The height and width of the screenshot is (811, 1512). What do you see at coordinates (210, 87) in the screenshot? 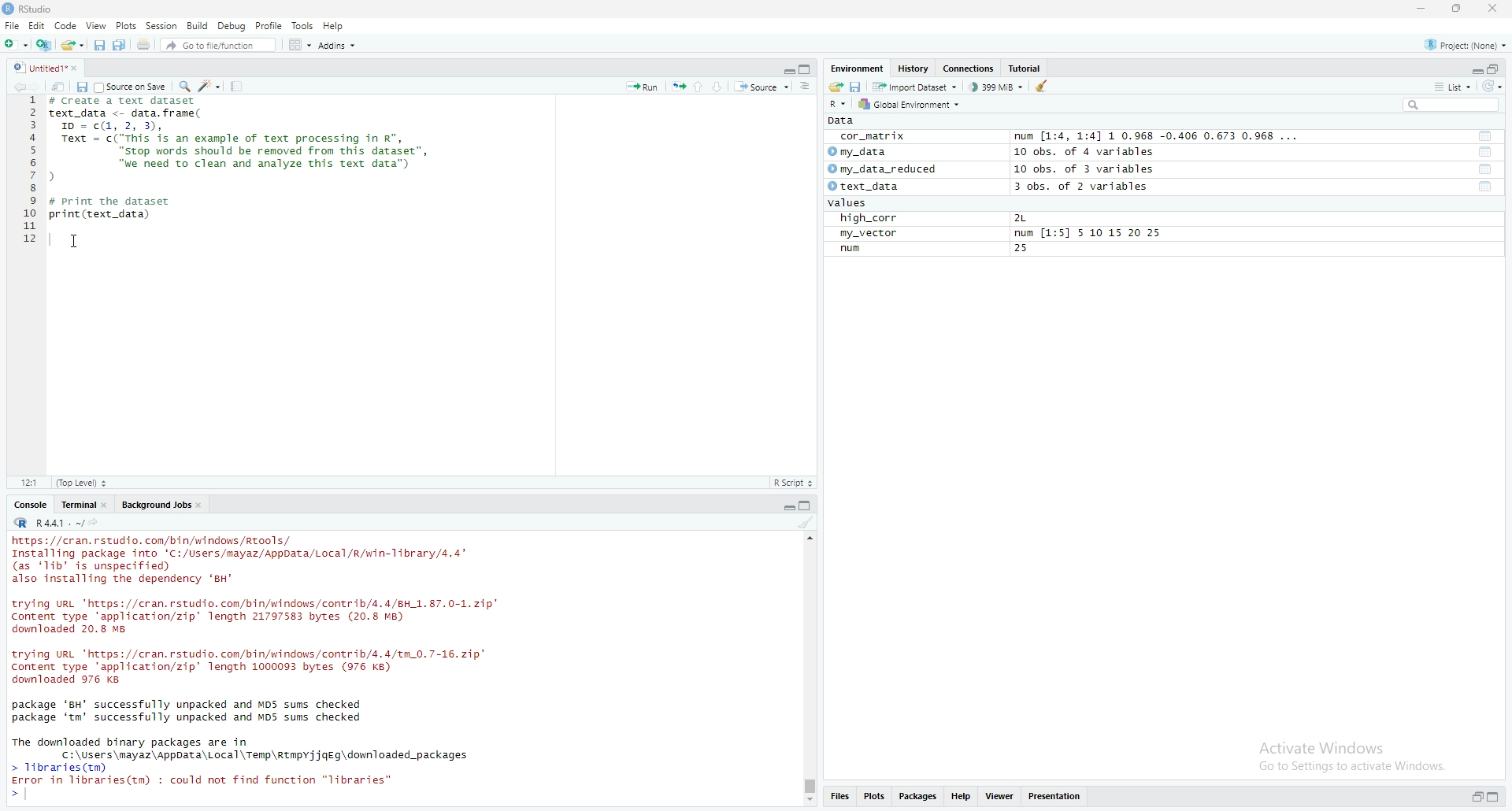
I see `code tools` at bounding box center [210, 87].